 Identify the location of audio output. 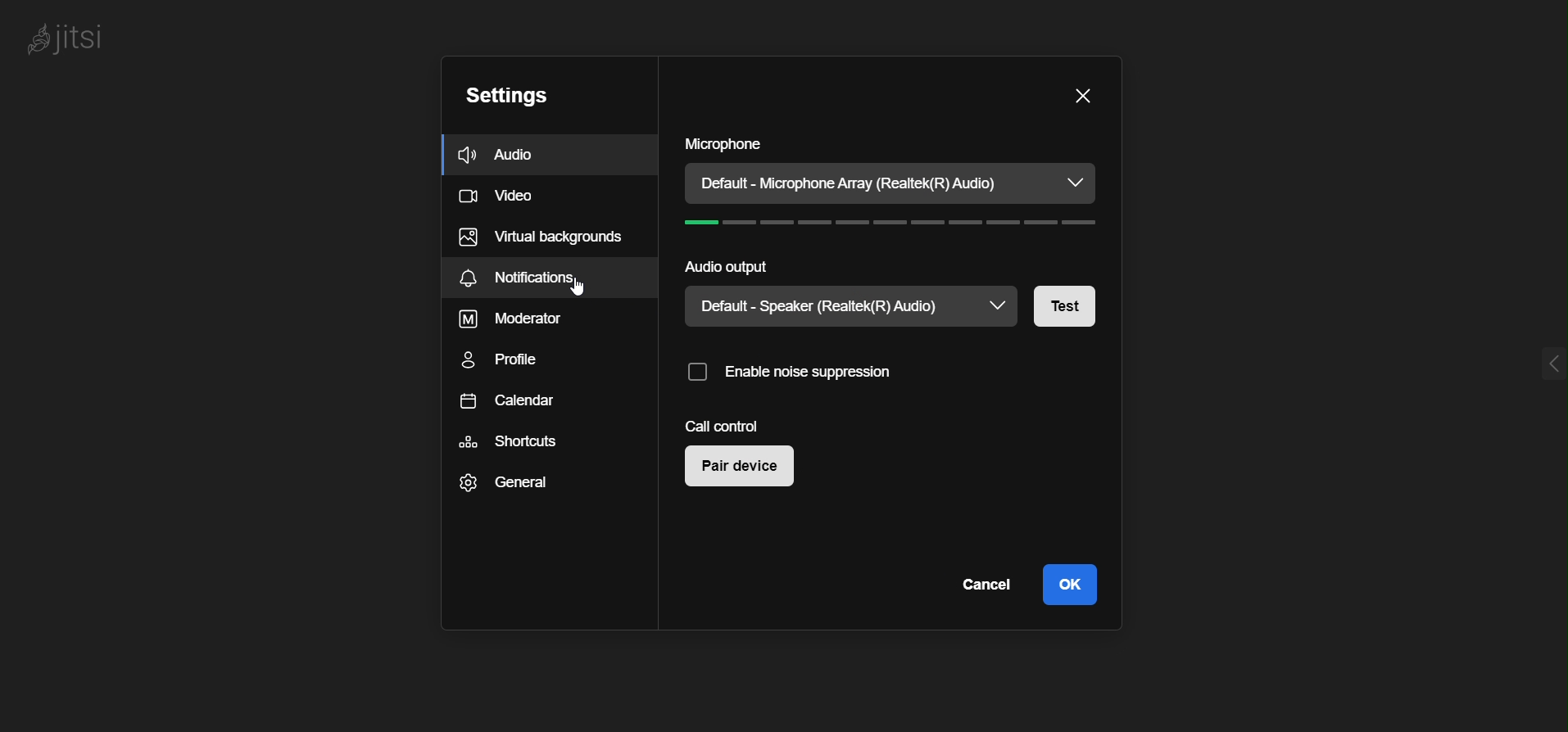
(733, 268).